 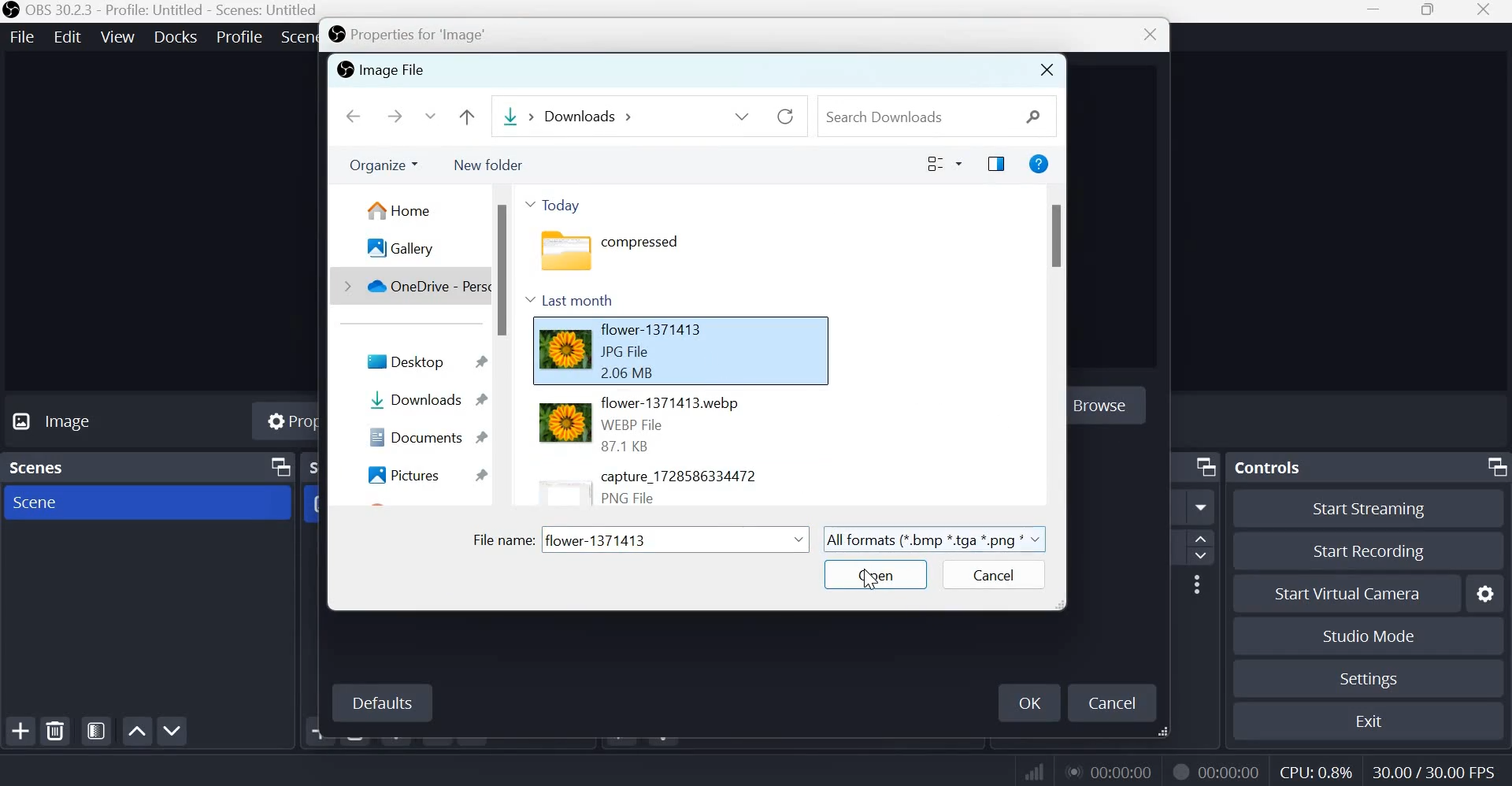 What do you see at coordinates (1114, 406) in the screenshot?
I see `Browse` at bounding box center [1114, 406].